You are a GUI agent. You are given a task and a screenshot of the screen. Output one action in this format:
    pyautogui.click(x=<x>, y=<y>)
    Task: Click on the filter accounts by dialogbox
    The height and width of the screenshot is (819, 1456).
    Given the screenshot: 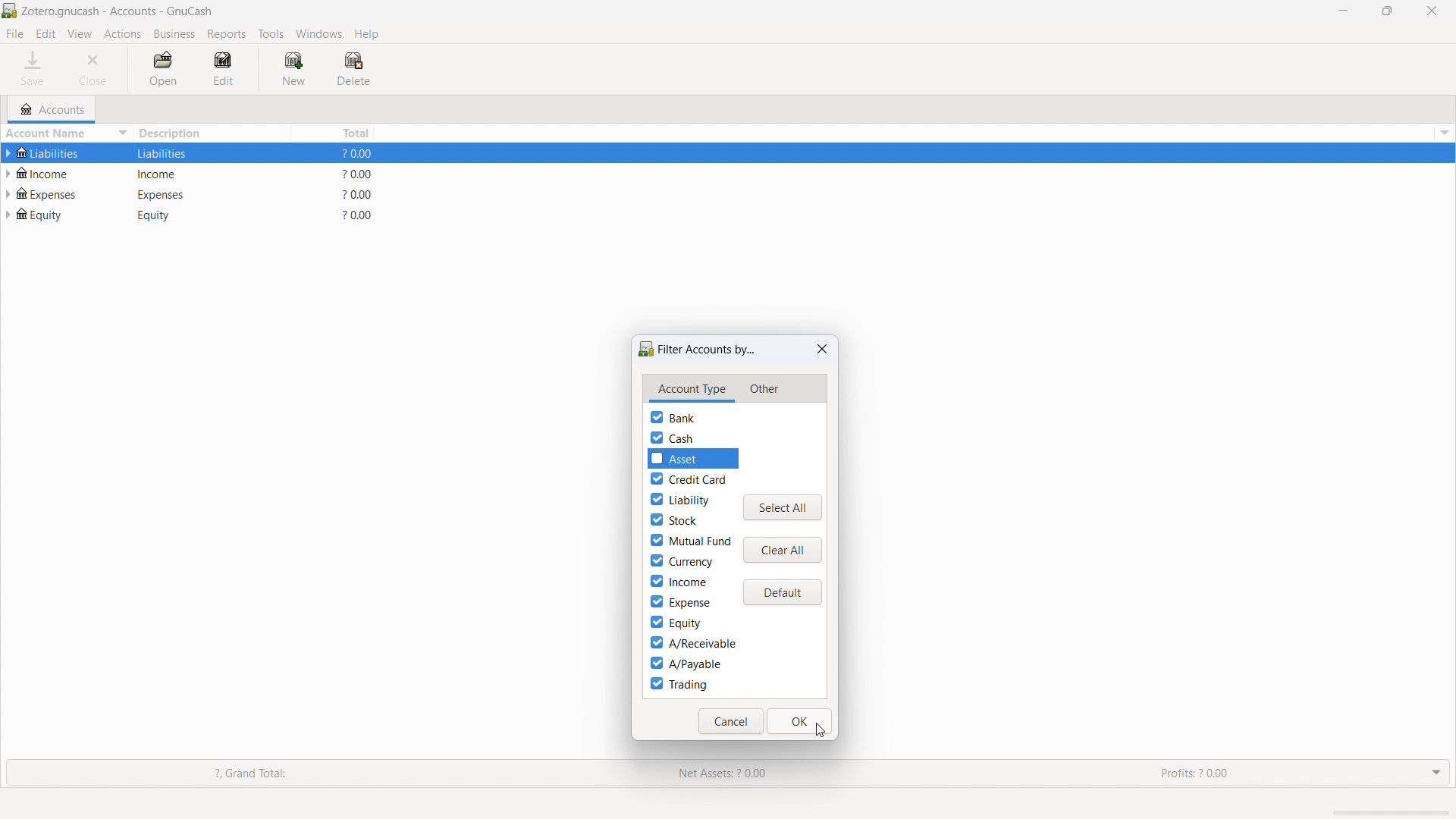 What is the action you would take?
    pyautogui.click(x=697, y=350)
    